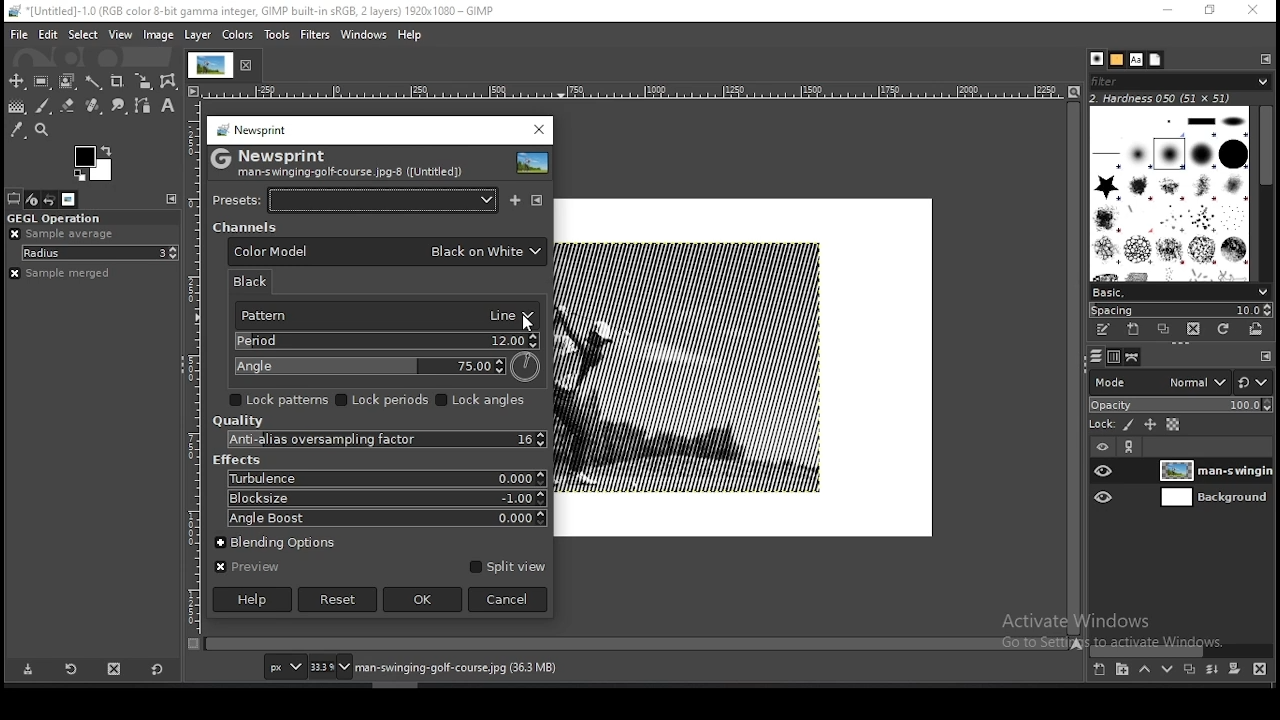 This screenshot has height=720, width=1280. What do you see at coordinates (1261, 58) in the screenshot?
I see `configure this tab` at bounding box center [1261, 58].